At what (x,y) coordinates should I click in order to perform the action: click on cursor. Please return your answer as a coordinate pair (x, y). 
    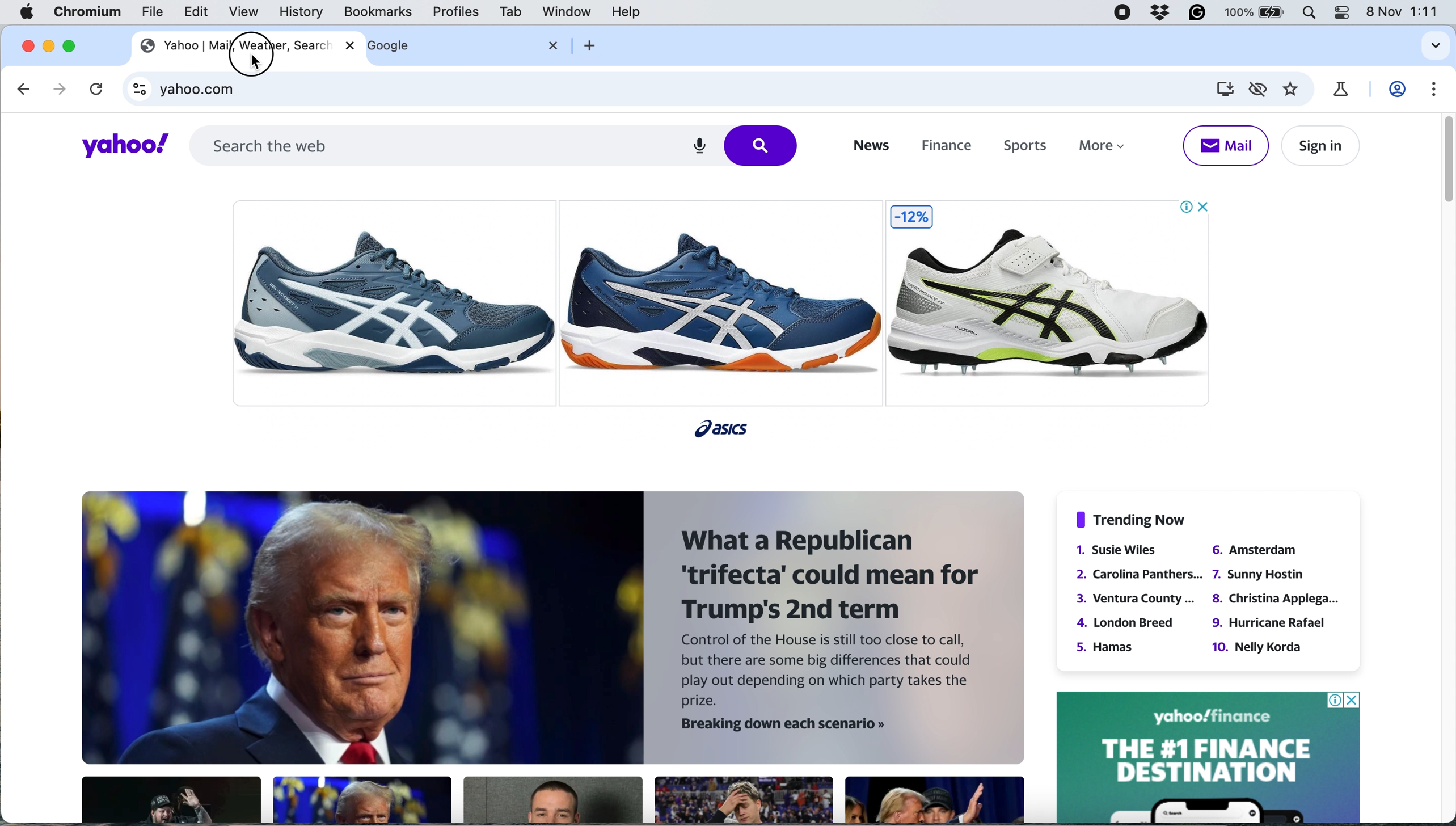
    Looking at the image, I should click on (249, 53).